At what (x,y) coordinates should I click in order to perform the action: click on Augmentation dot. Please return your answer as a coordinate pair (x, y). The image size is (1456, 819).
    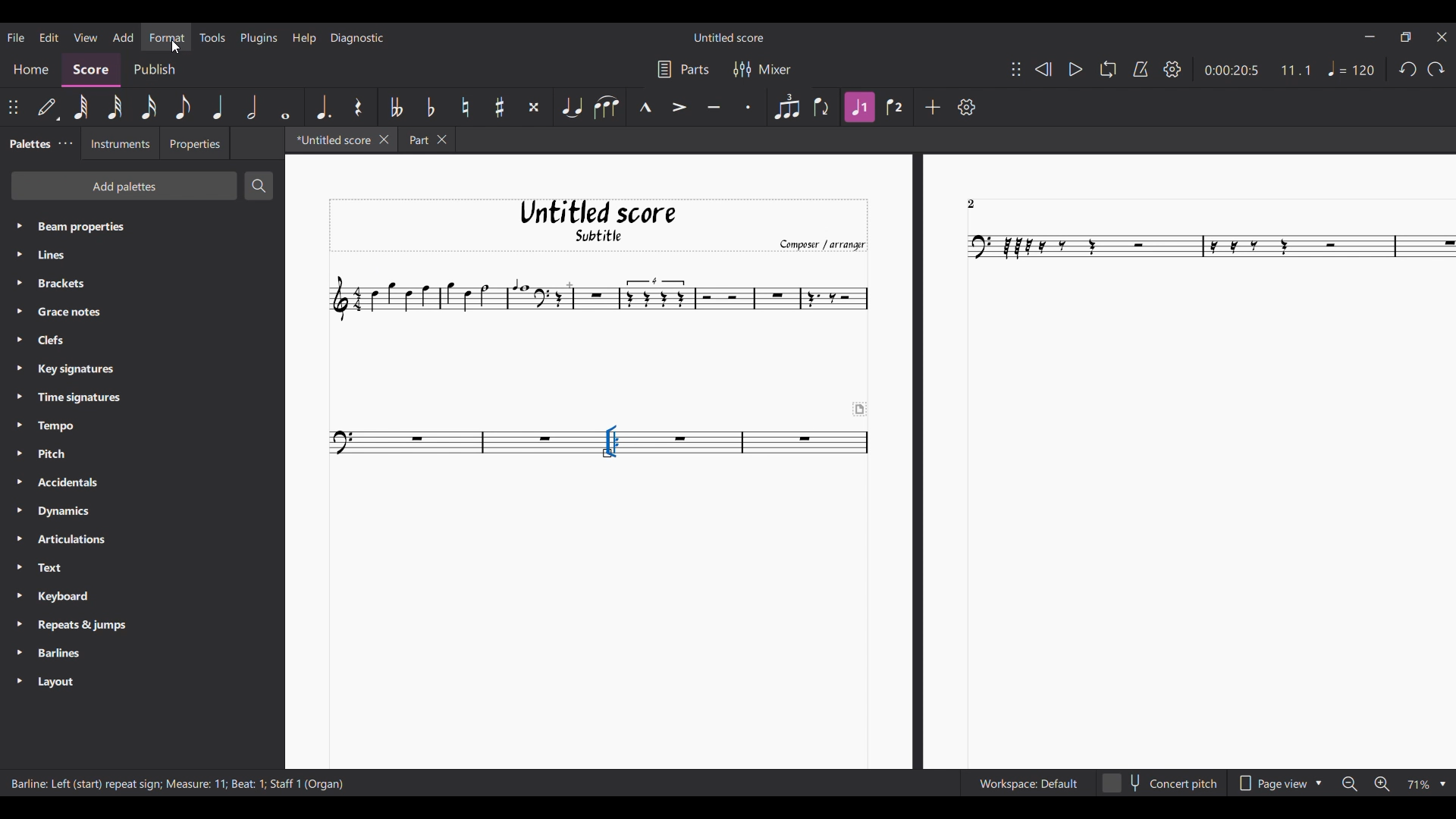
    Looking at the image, I should click on (323, 107).